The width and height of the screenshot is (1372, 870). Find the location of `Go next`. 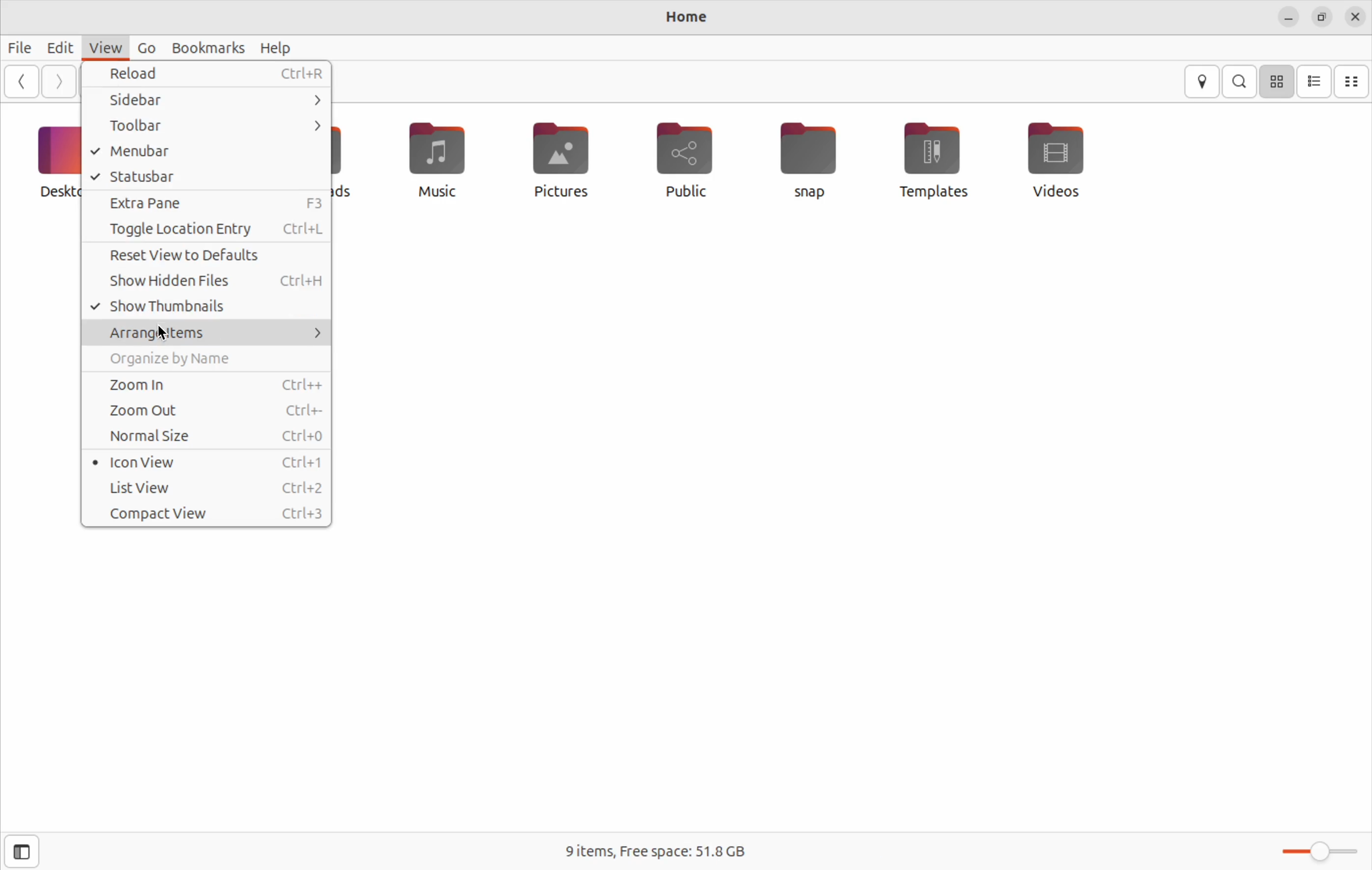

Go next is located at coordinates (59, 80).